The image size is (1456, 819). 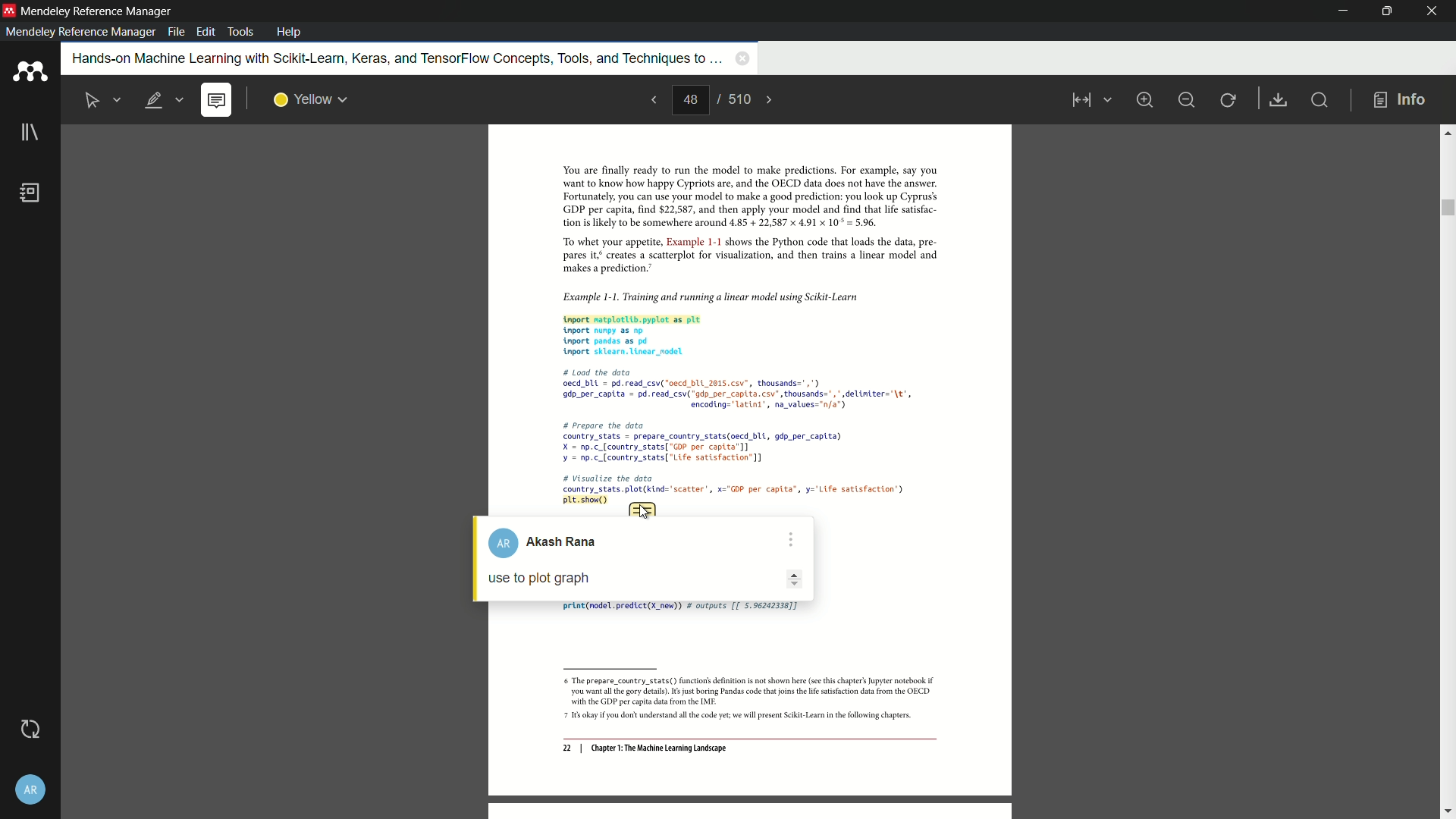 What do you see at coordinates (99, 11) in the screenshot?
I see `app name` at bounding box center [99, 11].